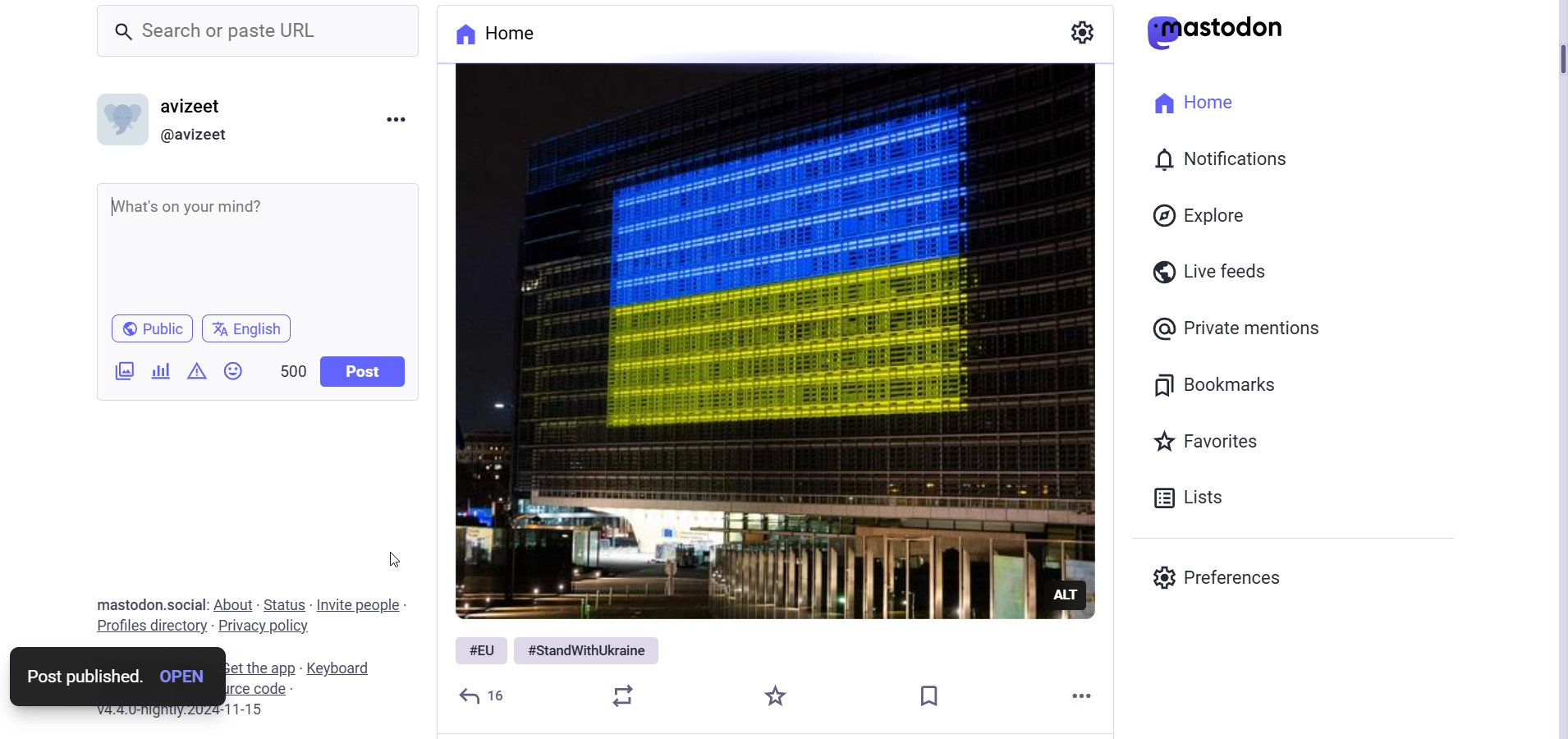  I want to click on Image Posted, so click(766, 342).